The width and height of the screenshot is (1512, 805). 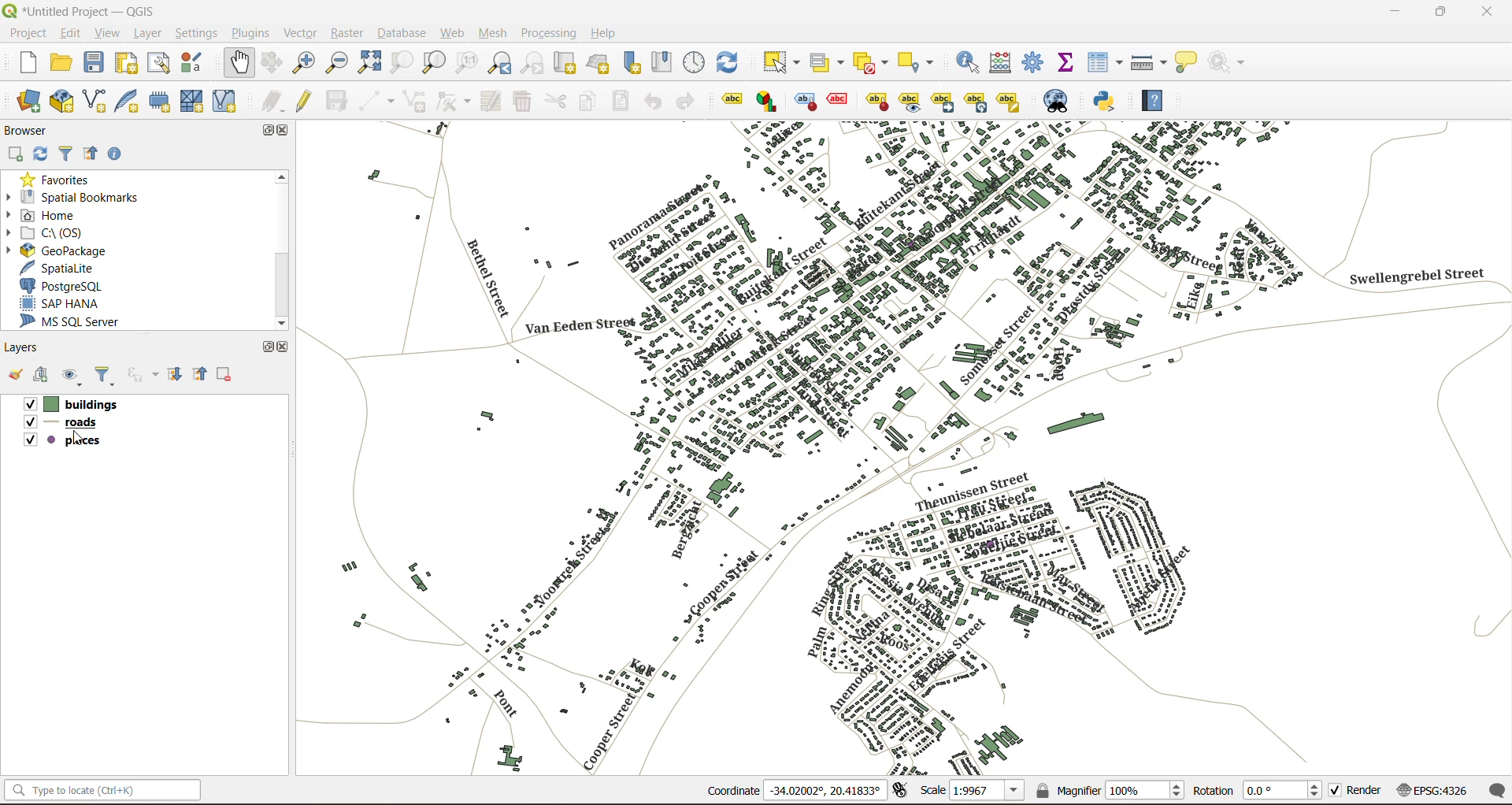 What do you see at coordinates (500, 61) in the screenshot?
I see `zoom last` at bounding box center [500, 61].